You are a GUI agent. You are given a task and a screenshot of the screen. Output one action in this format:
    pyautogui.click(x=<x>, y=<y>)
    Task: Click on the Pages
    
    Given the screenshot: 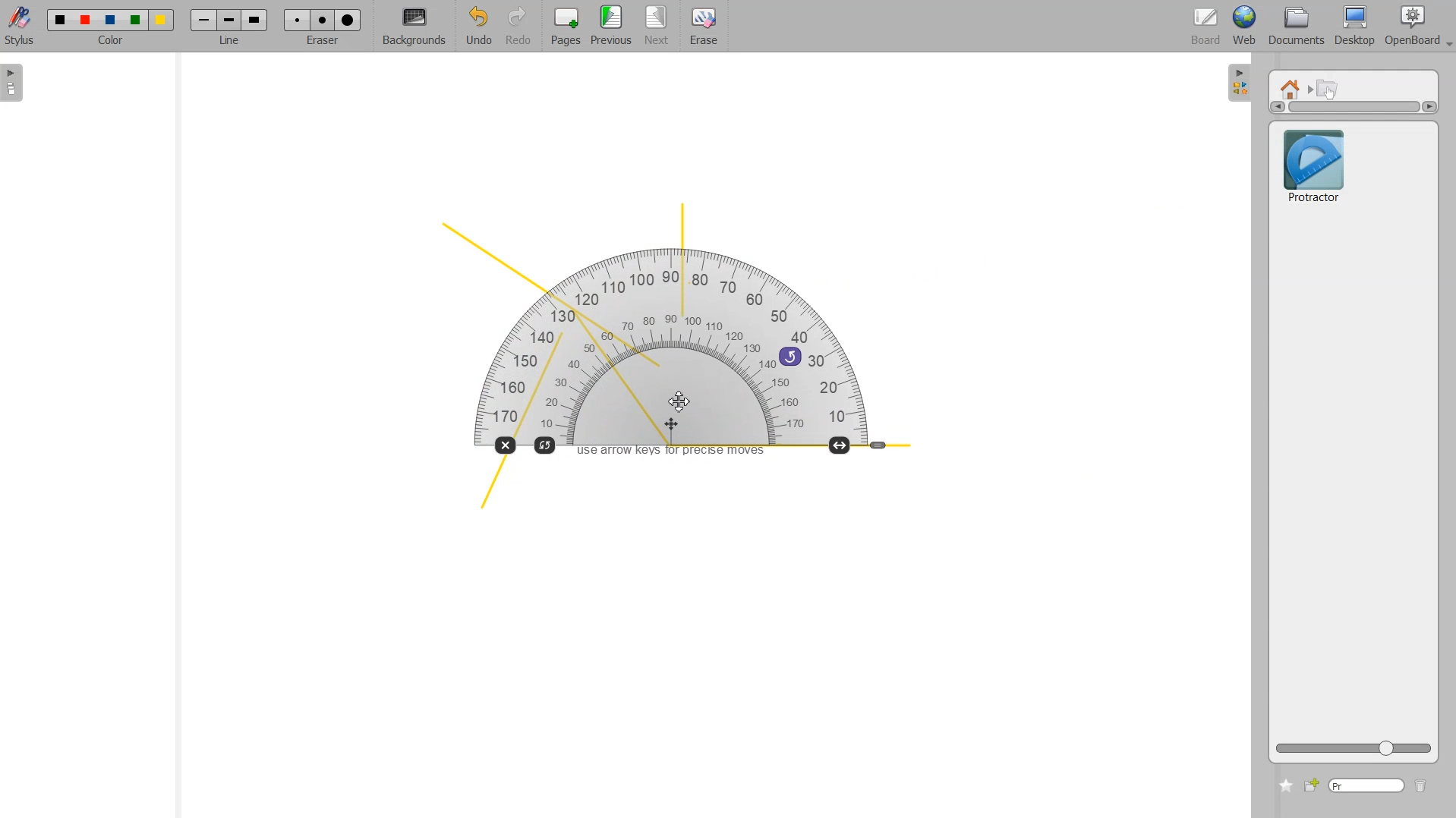 What is the action you would take?
    pyautogui.click(x=564, y=27)
    